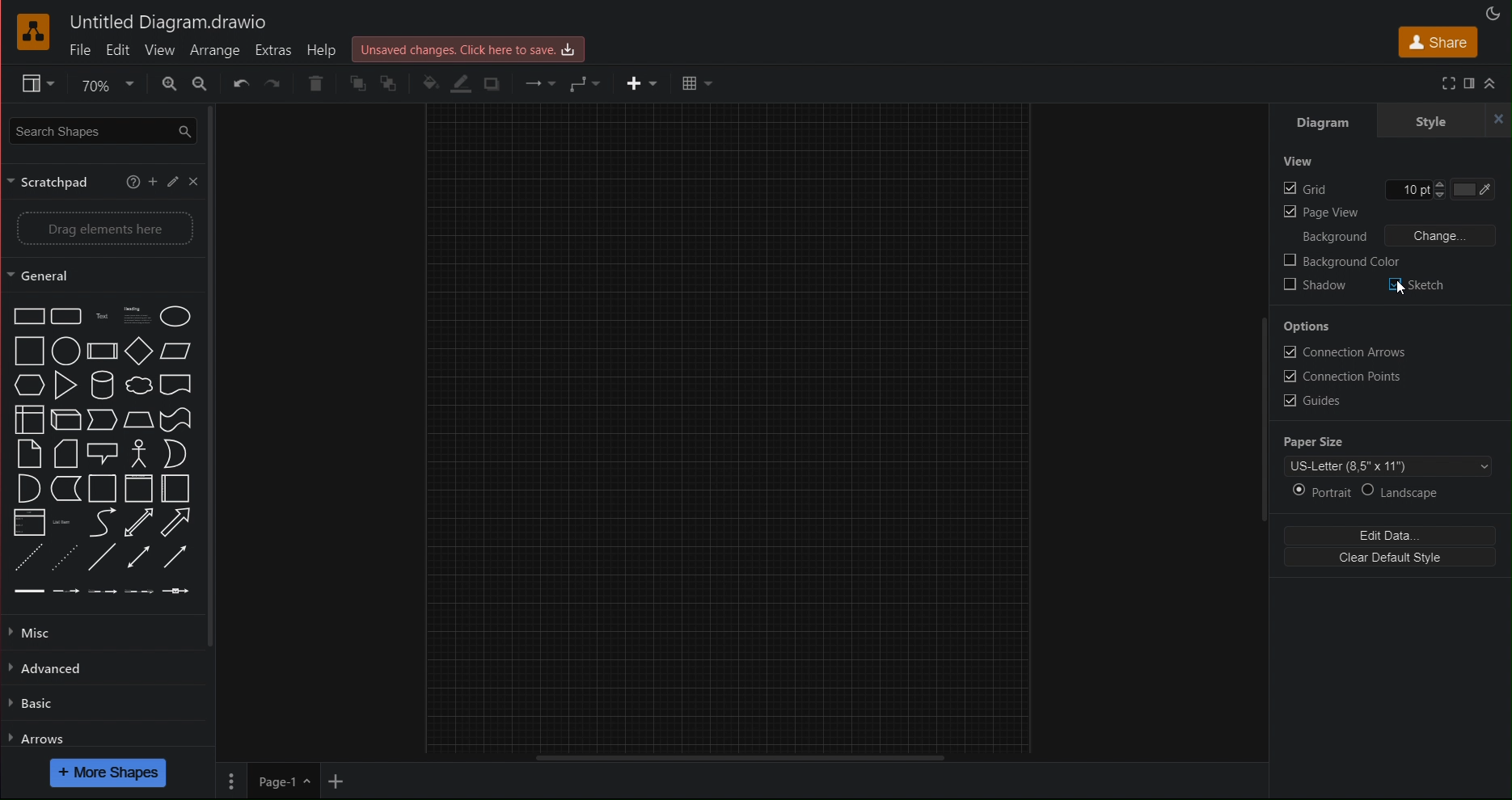 The height and width of the screenshot is (800, 1512). Describe the element at coordinates (697, 81) in the screenshot. I see `Table` at that location.